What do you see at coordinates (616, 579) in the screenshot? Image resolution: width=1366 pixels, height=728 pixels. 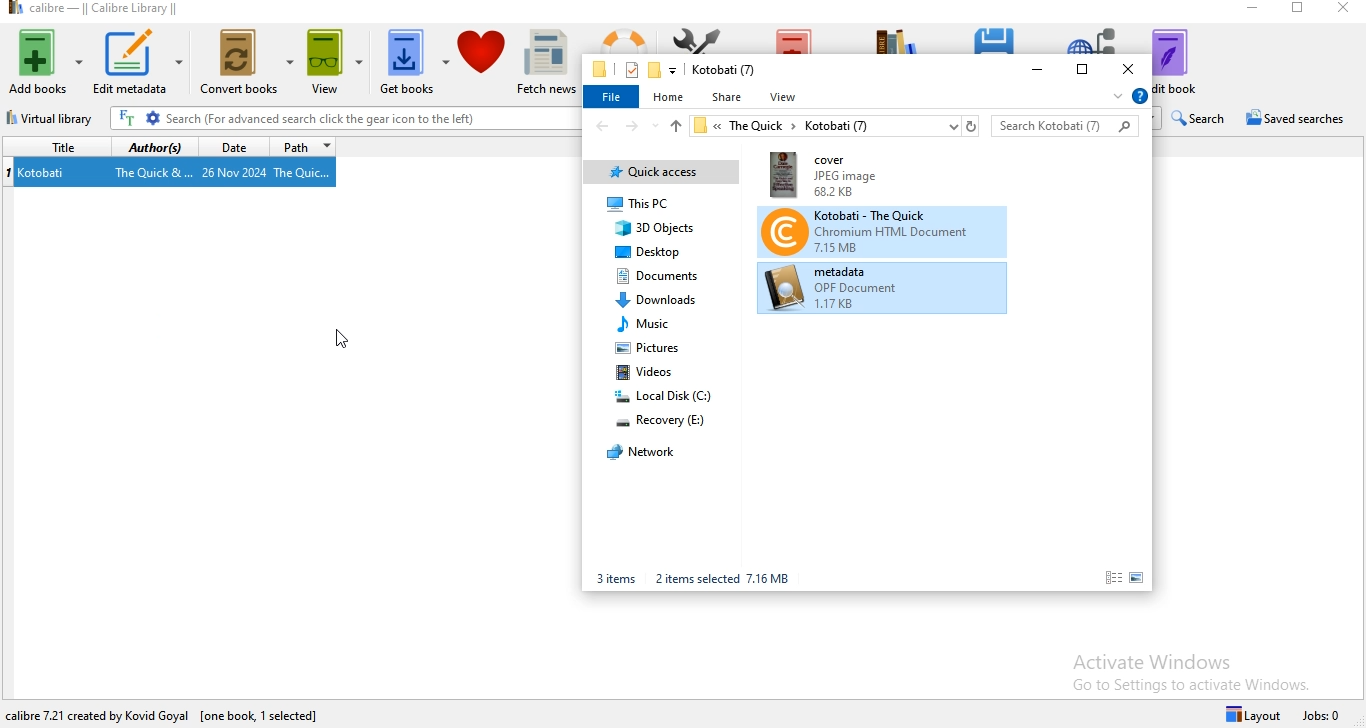 I see `3 items` at bounding box center [616, 579].